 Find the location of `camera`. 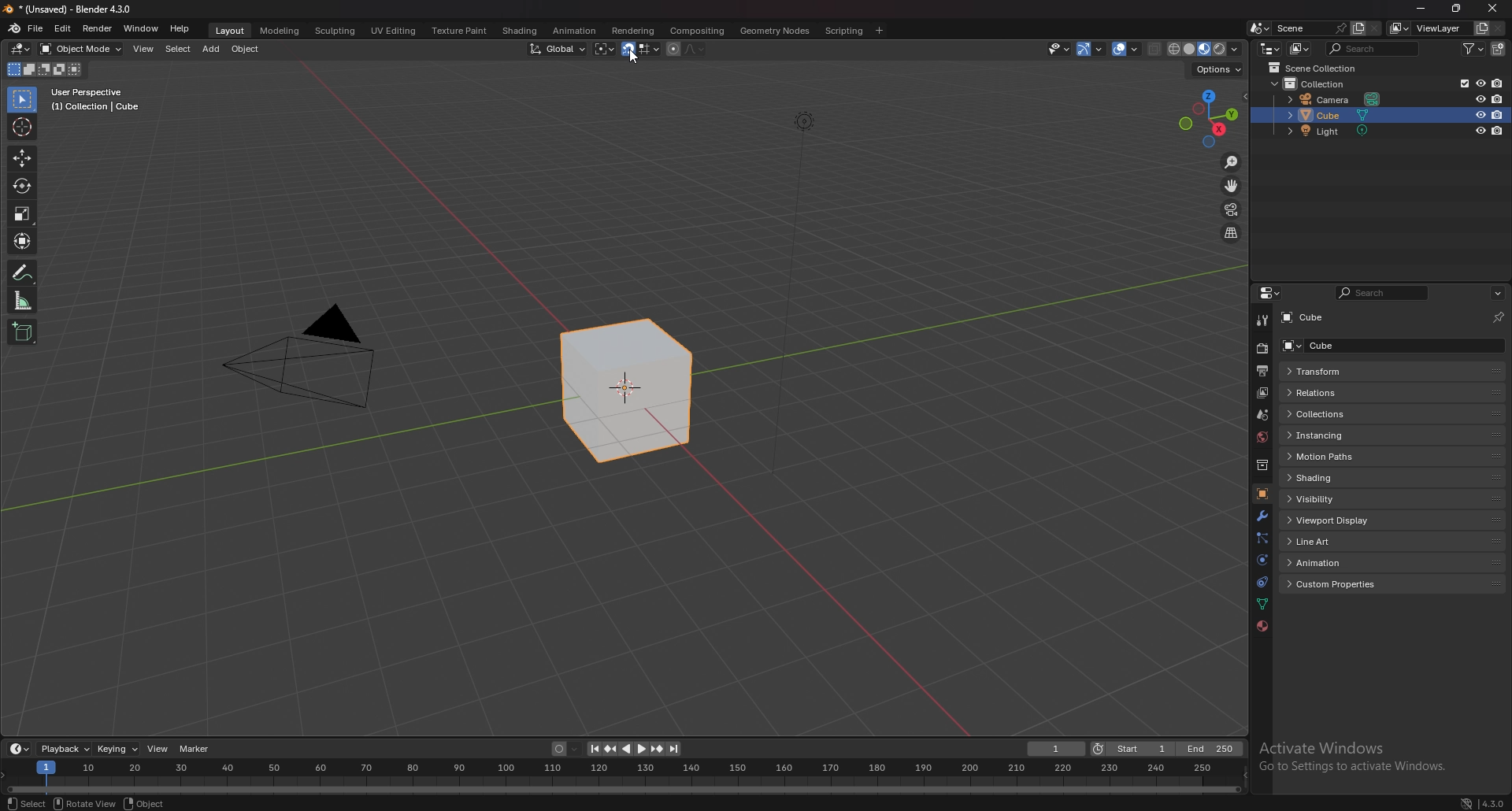

camera is located at coordinates (1336, 100).